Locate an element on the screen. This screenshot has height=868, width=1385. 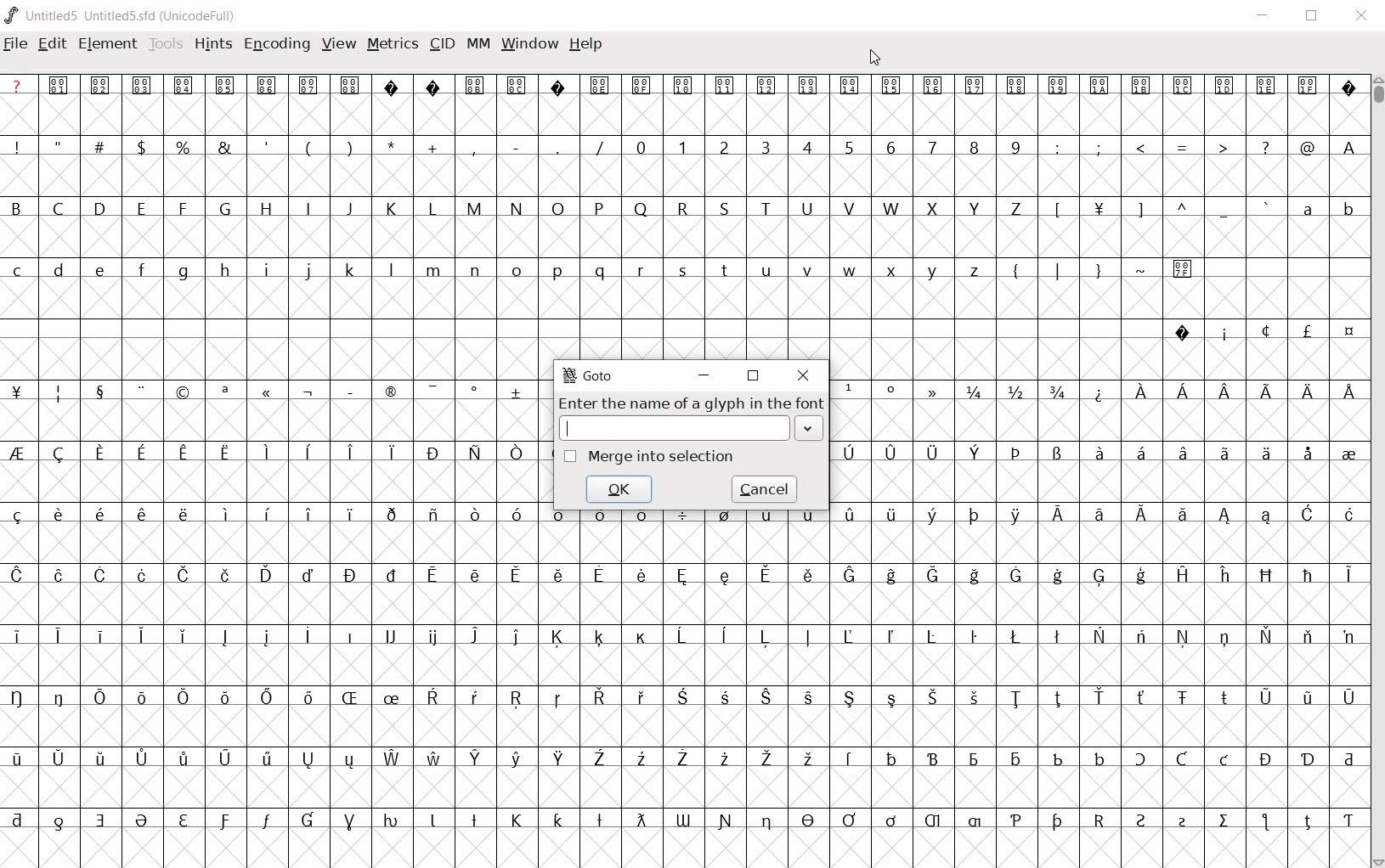
Symbol is located at coordinates (1099, 578).